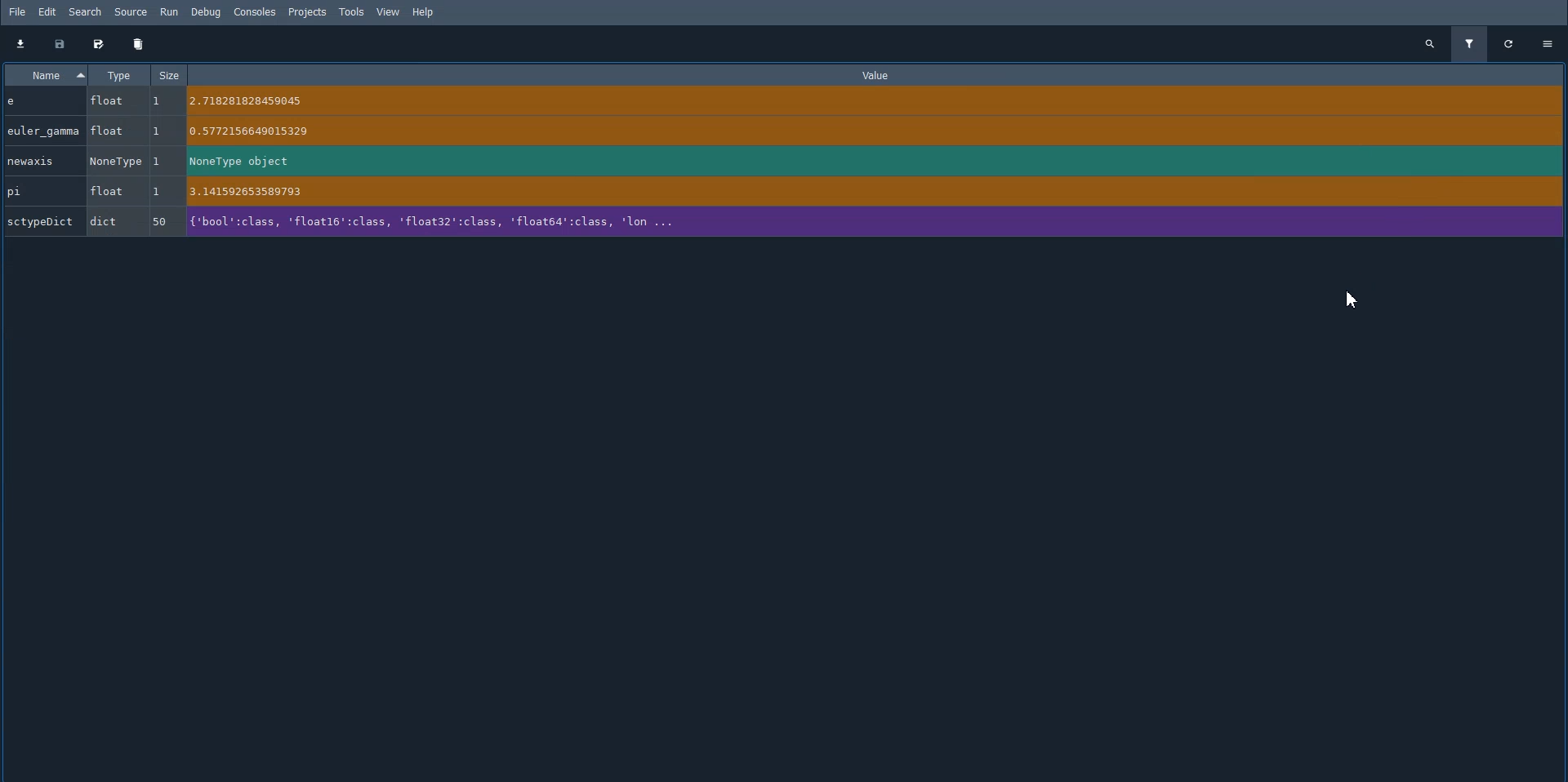 The width and height of the screenshot is (1568, 782). Describe the element at coordinates (307, 12) in the screenshot. I see `Projects` at that location.